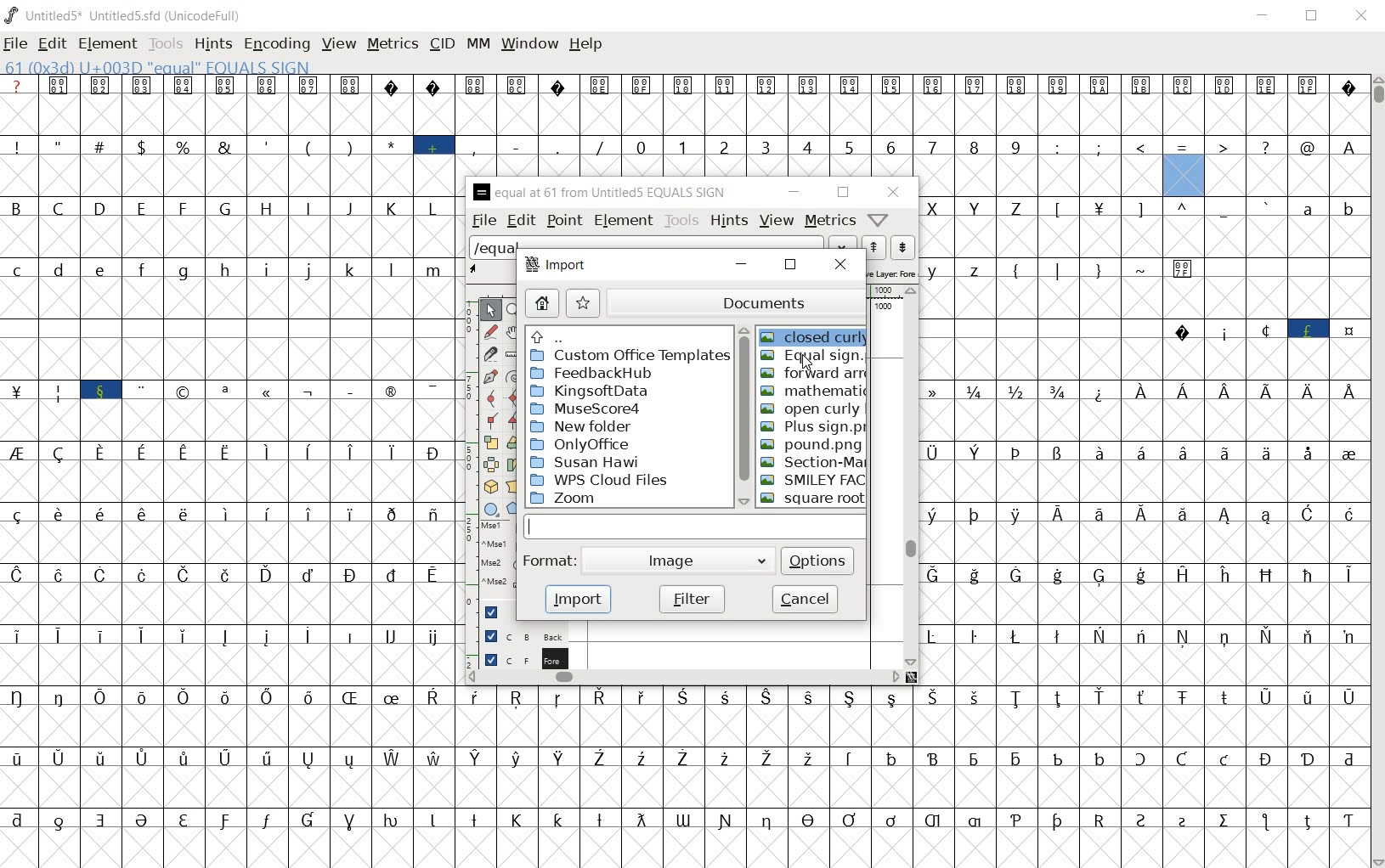  Describe the element at coordinates (441, 42) in the screenshot. I see `cid` at that location.